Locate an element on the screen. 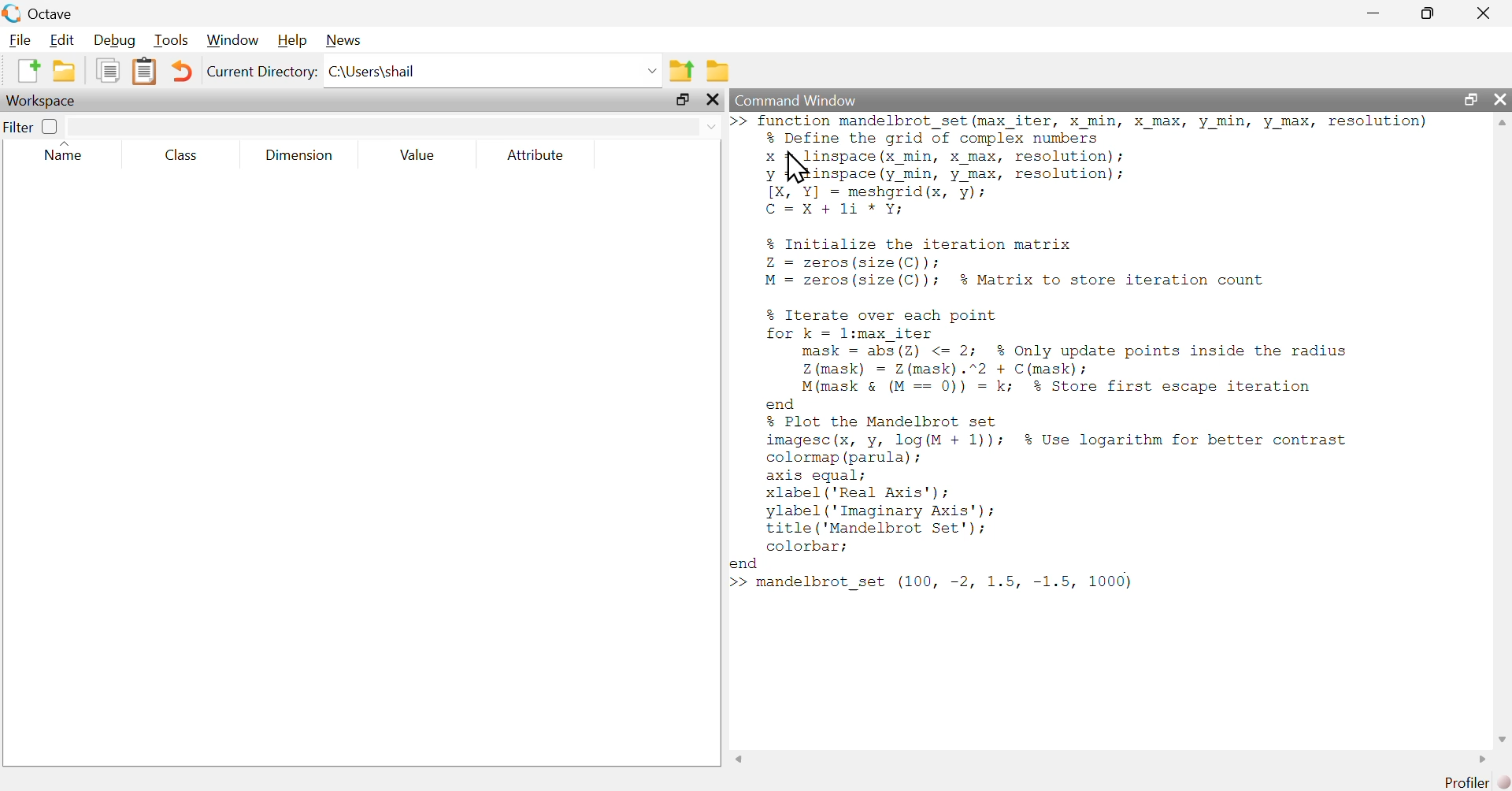 Image resolution: width=1512 pixels, height=791 pixels. Value is located at coordinates (419, 157).